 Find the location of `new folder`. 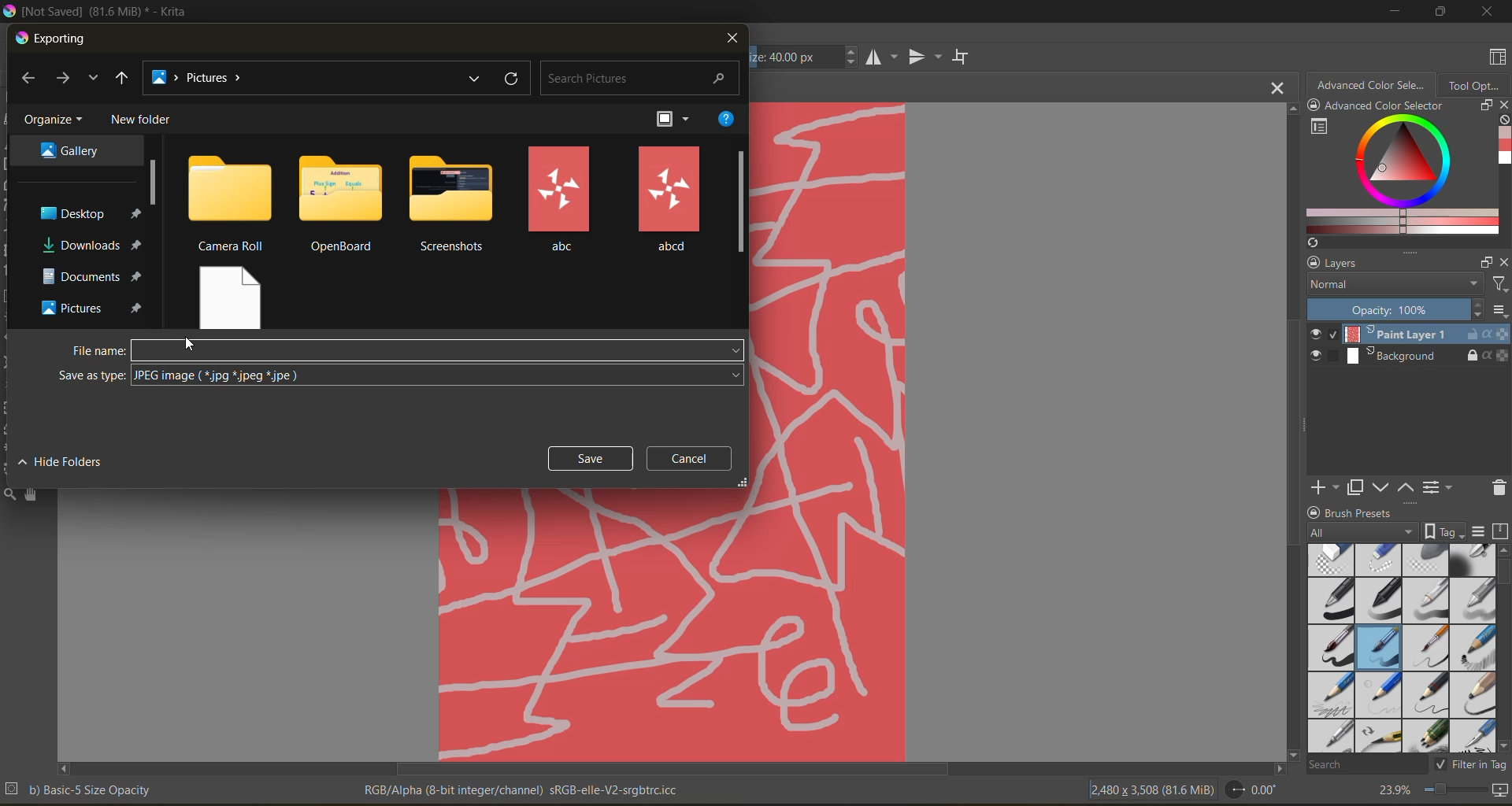

new folder is located at coordinates (144, 120).